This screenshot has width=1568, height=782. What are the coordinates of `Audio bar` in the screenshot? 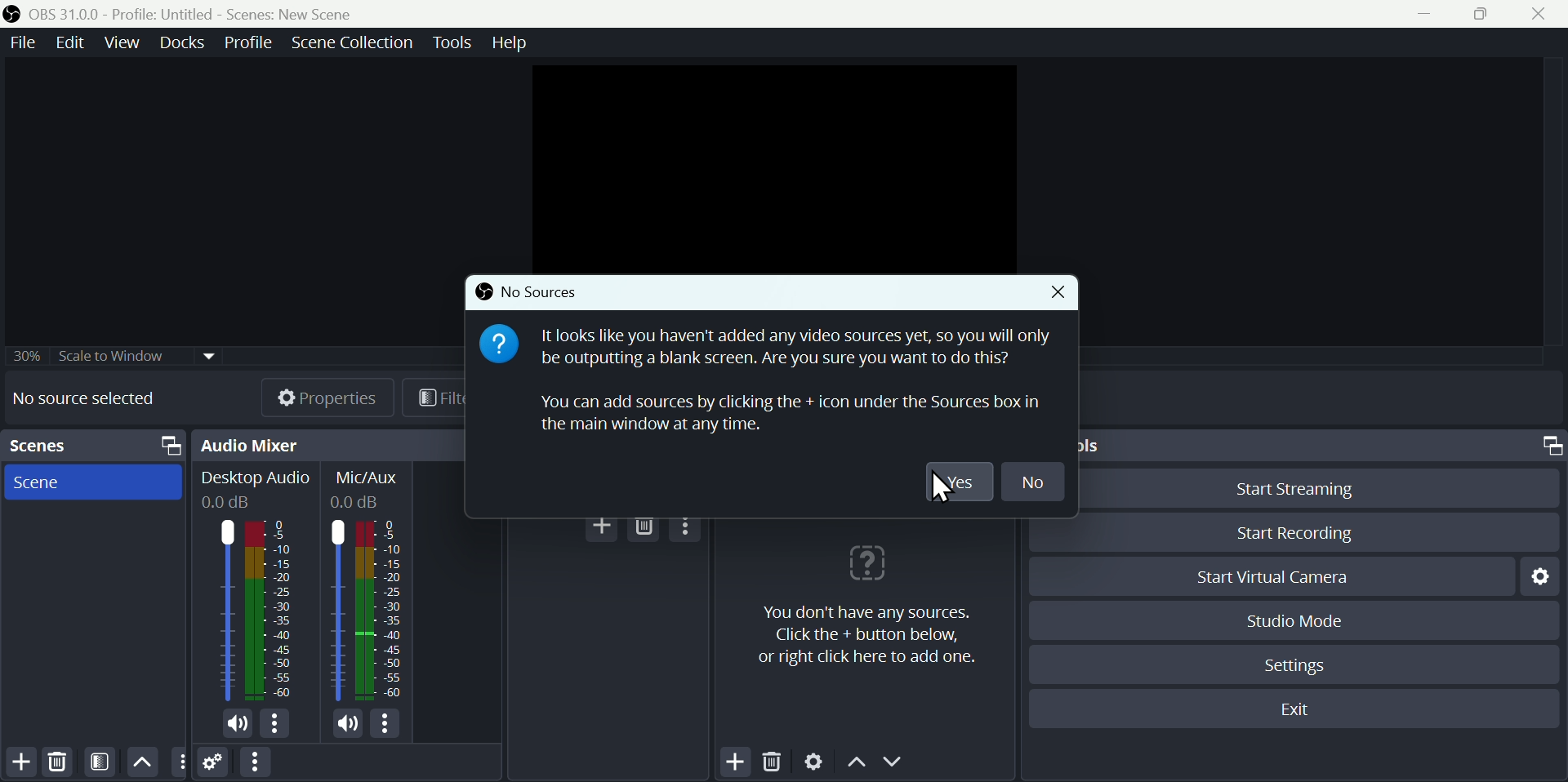 It's located at (250, 587).